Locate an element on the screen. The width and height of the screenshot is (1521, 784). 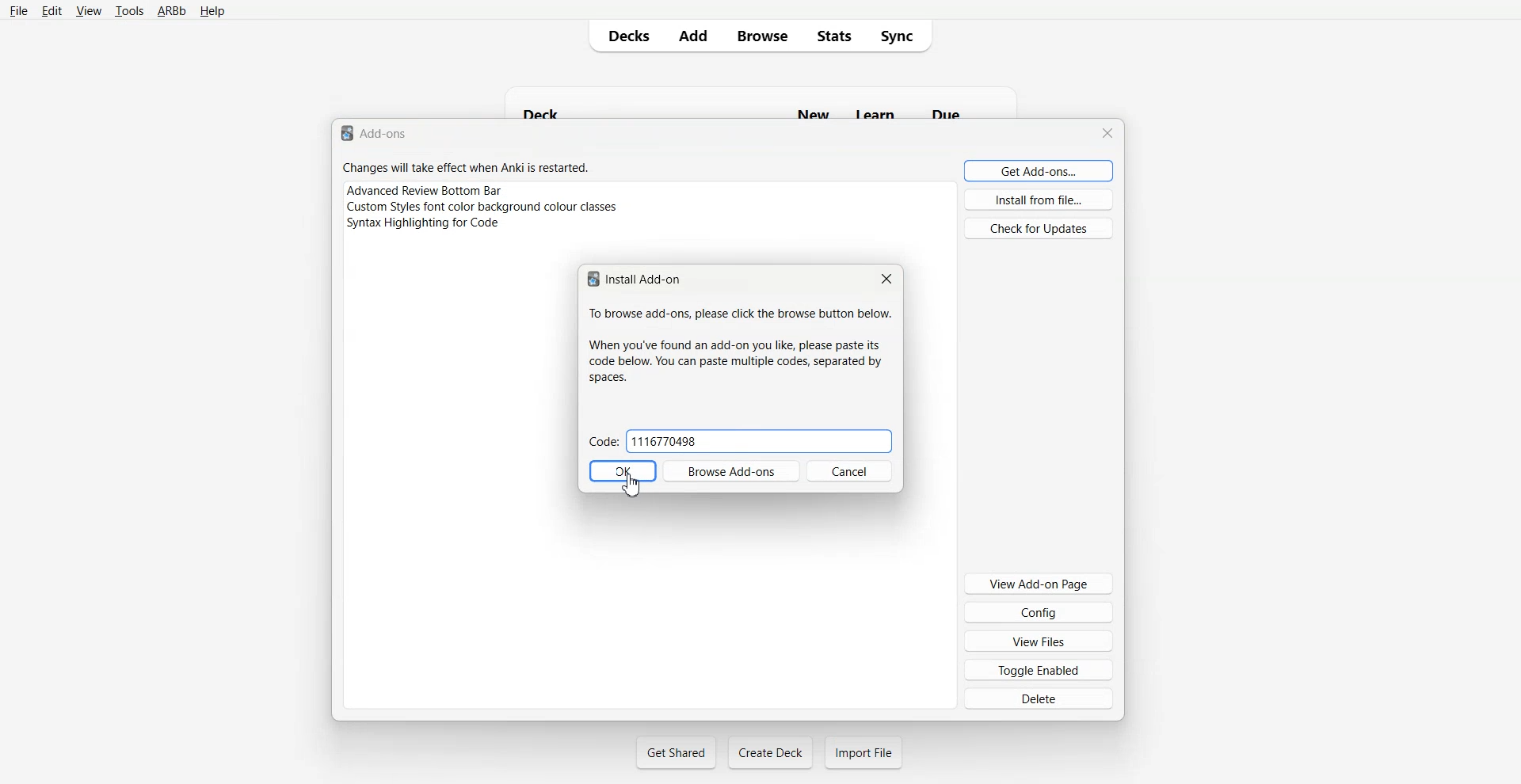
1116770498 is located at coordinates (666, 440).